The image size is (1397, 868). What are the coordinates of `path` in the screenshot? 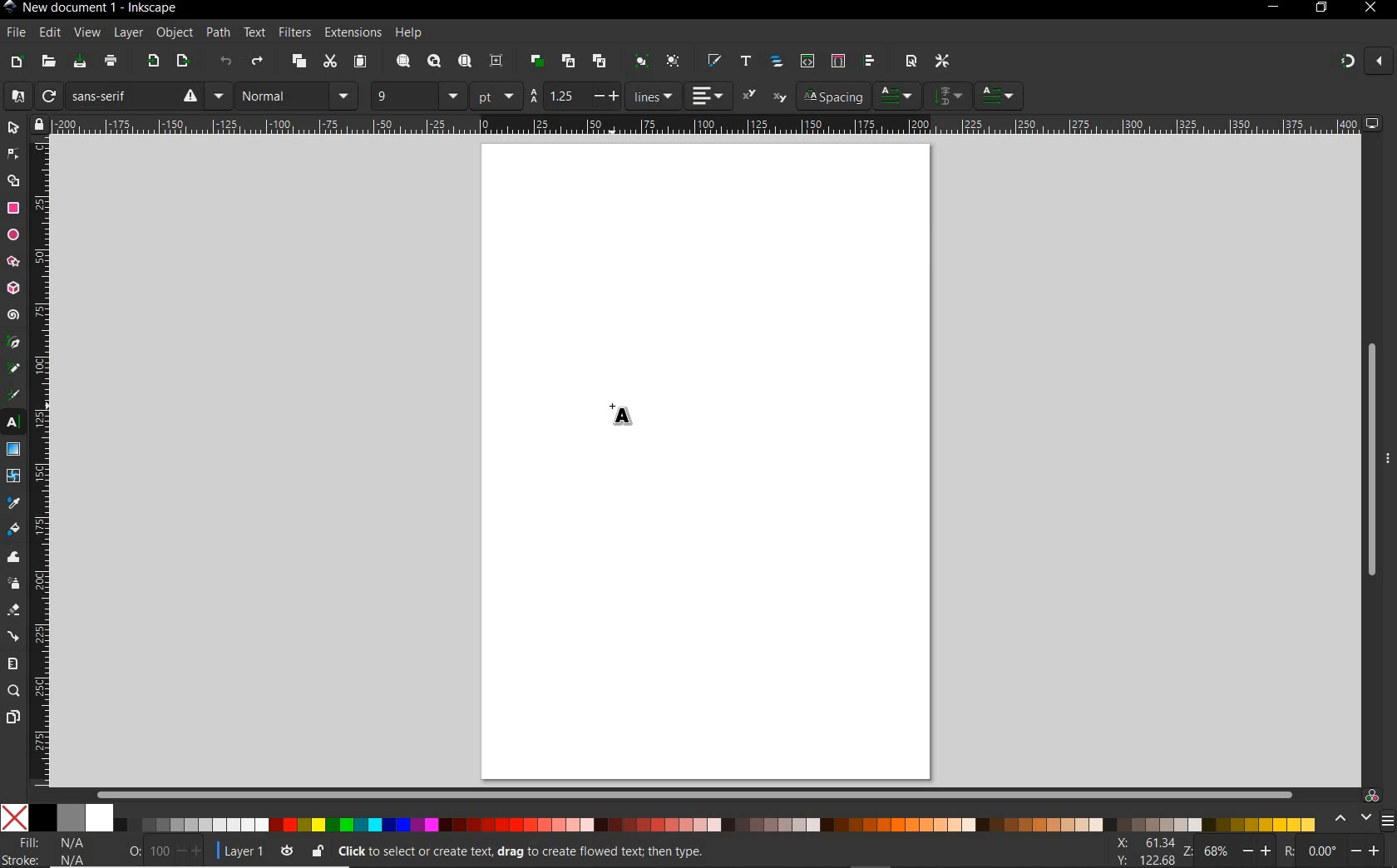 It's located at (215, 31).